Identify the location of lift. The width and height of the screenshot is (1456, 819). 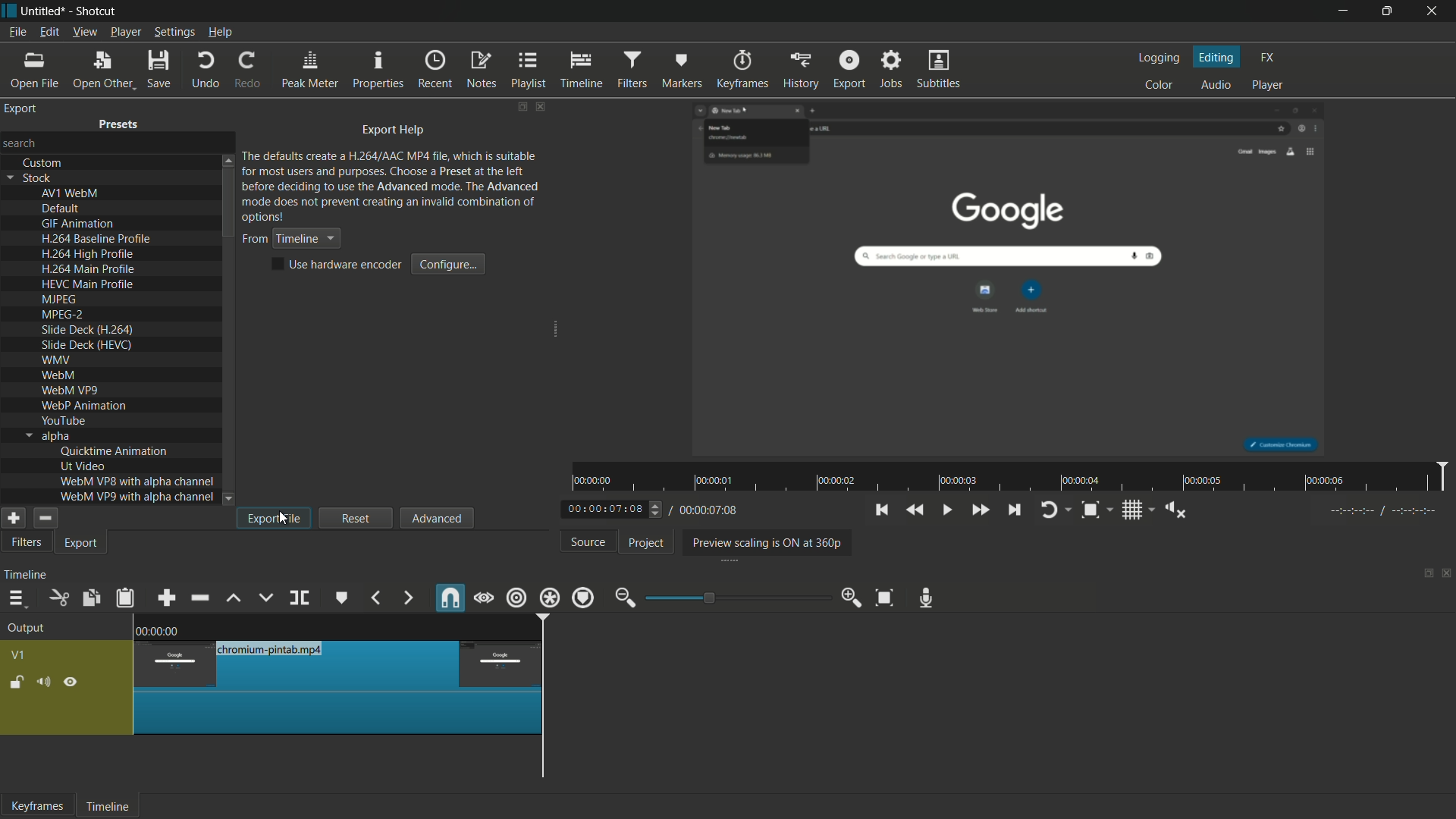
(235, 599).